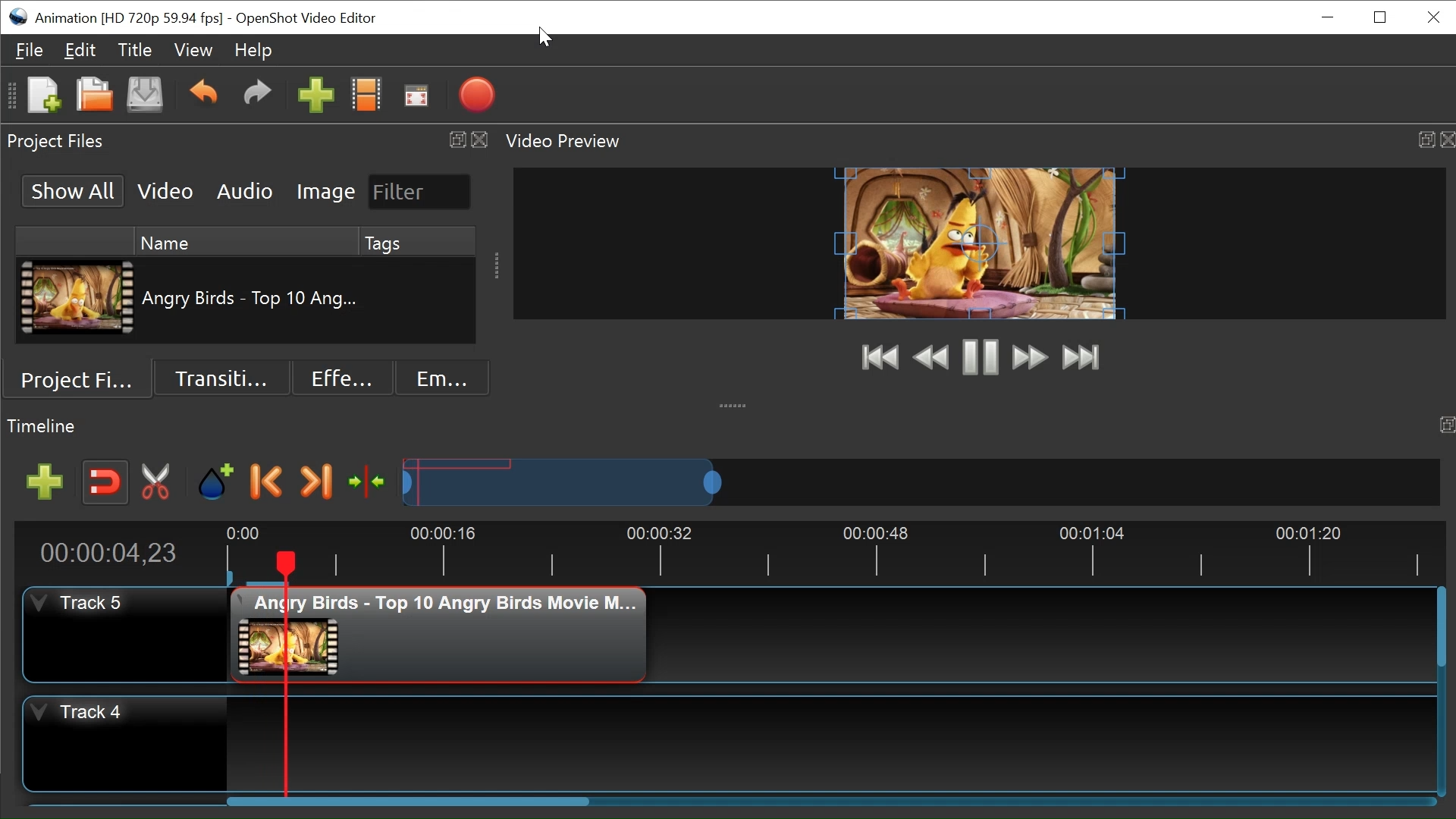 This screenshot has width=1456, height=819. What do you see at coordinates (104, 482) in the screenshot?
I see `Snap` at bounding box center [104, 482].